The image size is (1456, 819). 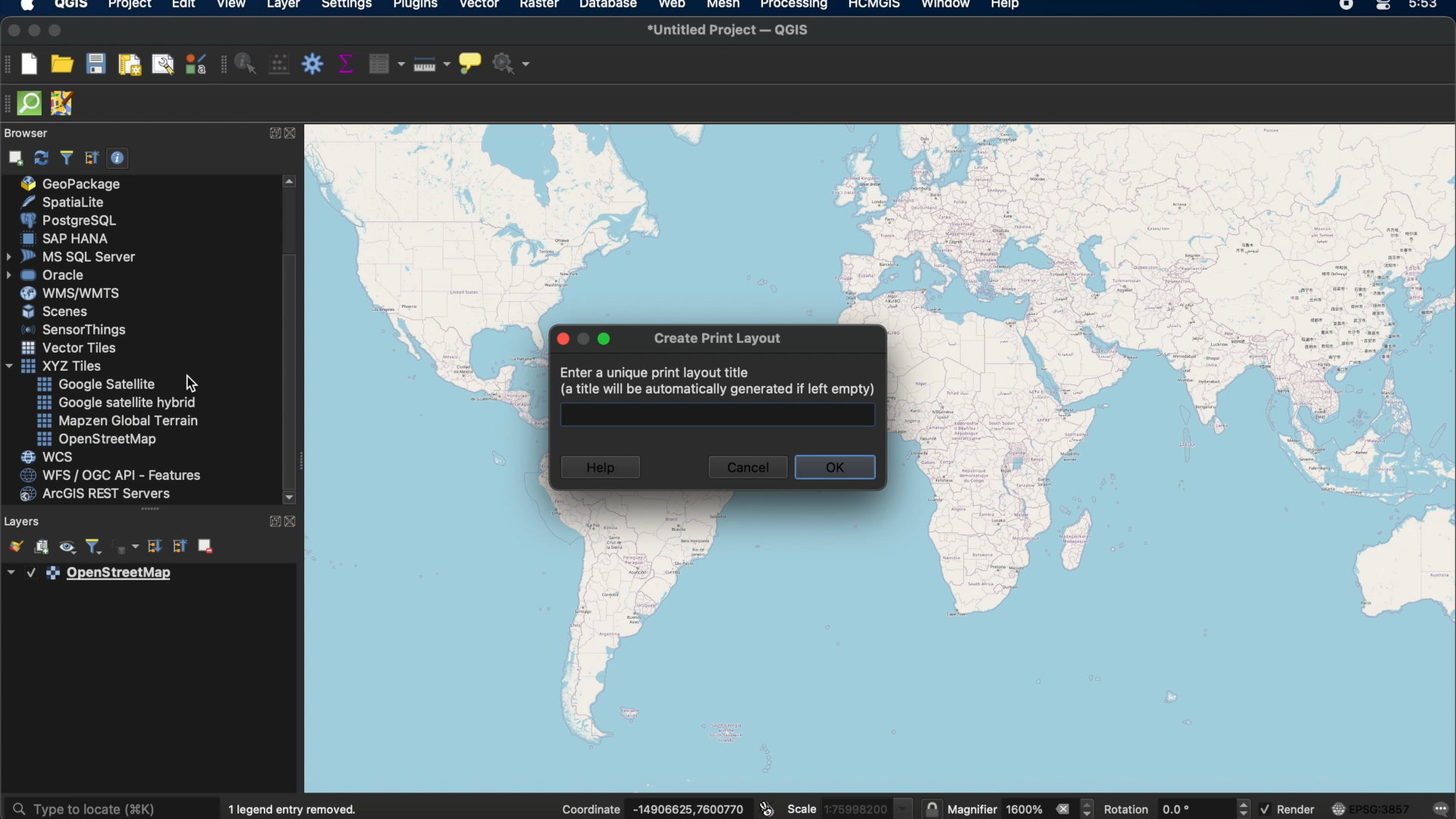 I want to click on arches rest servers, so click(x=97, y=493).